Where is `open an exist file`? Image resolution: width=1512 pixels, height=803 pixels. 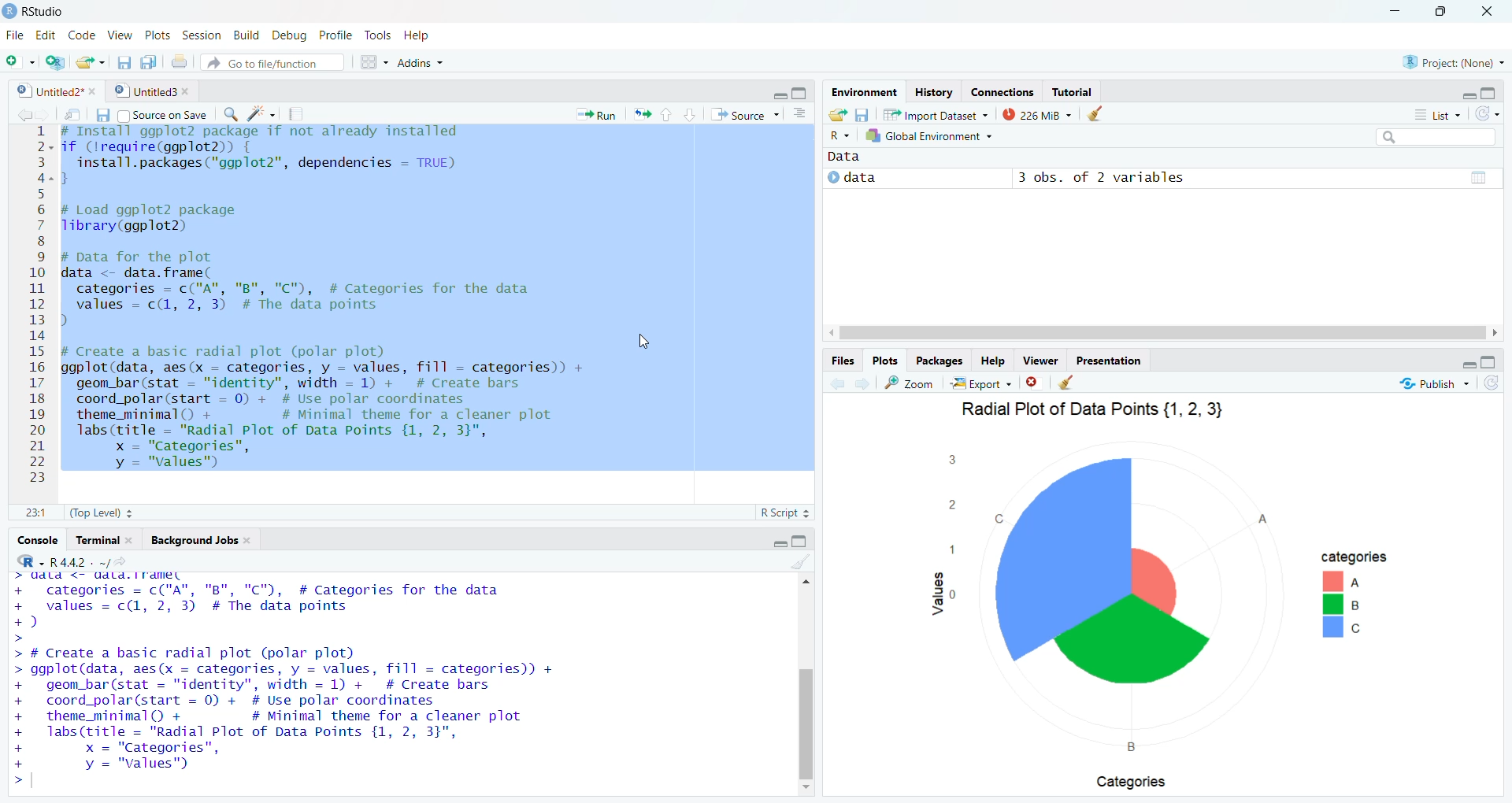
open an exist file is located at coordinates (91, 62).